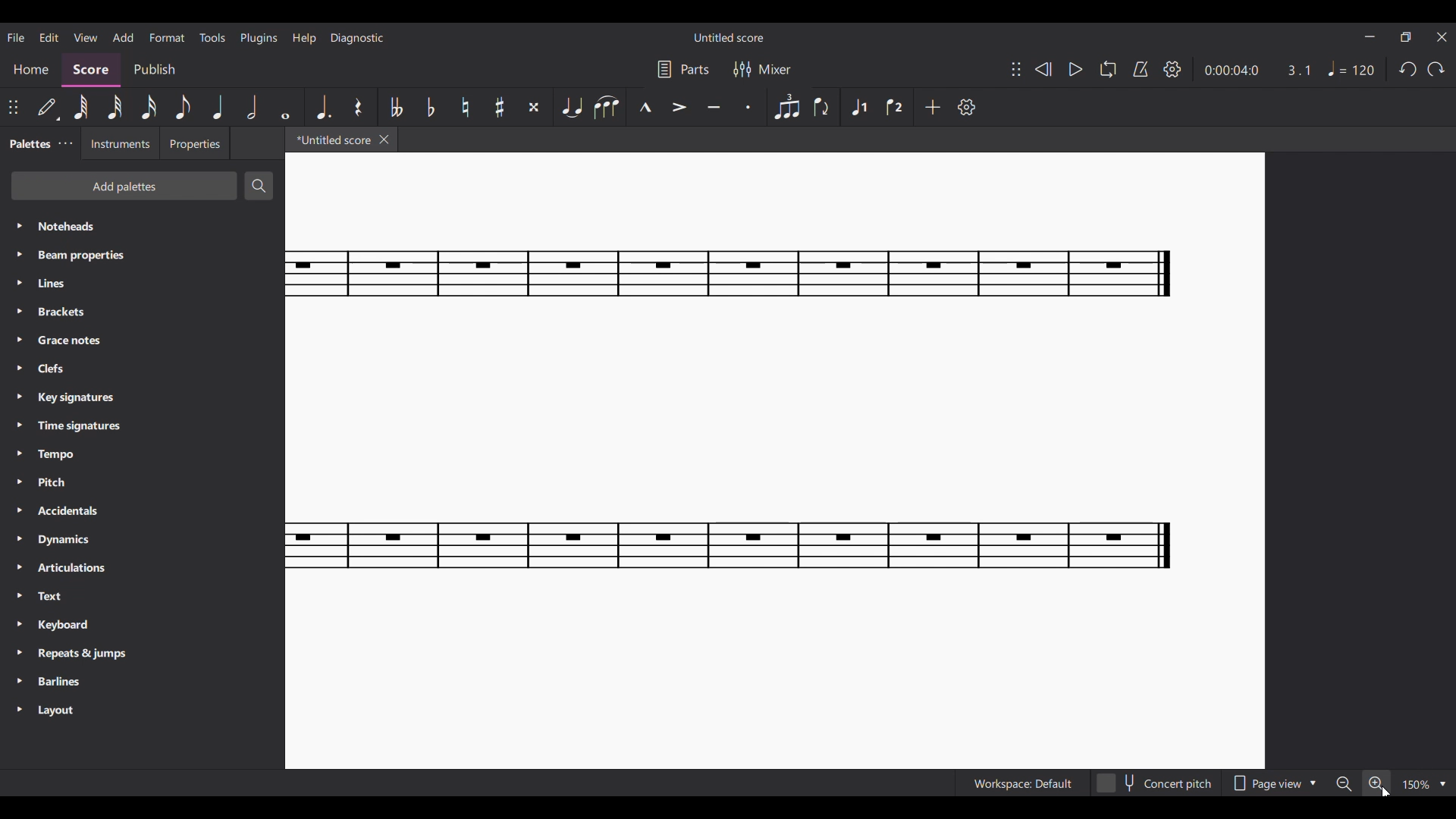 The height and width of the screenshot is (819, 1456). Describe the element at coordinates (645, 107) in the screenshot. I see `Marcato` at that location.